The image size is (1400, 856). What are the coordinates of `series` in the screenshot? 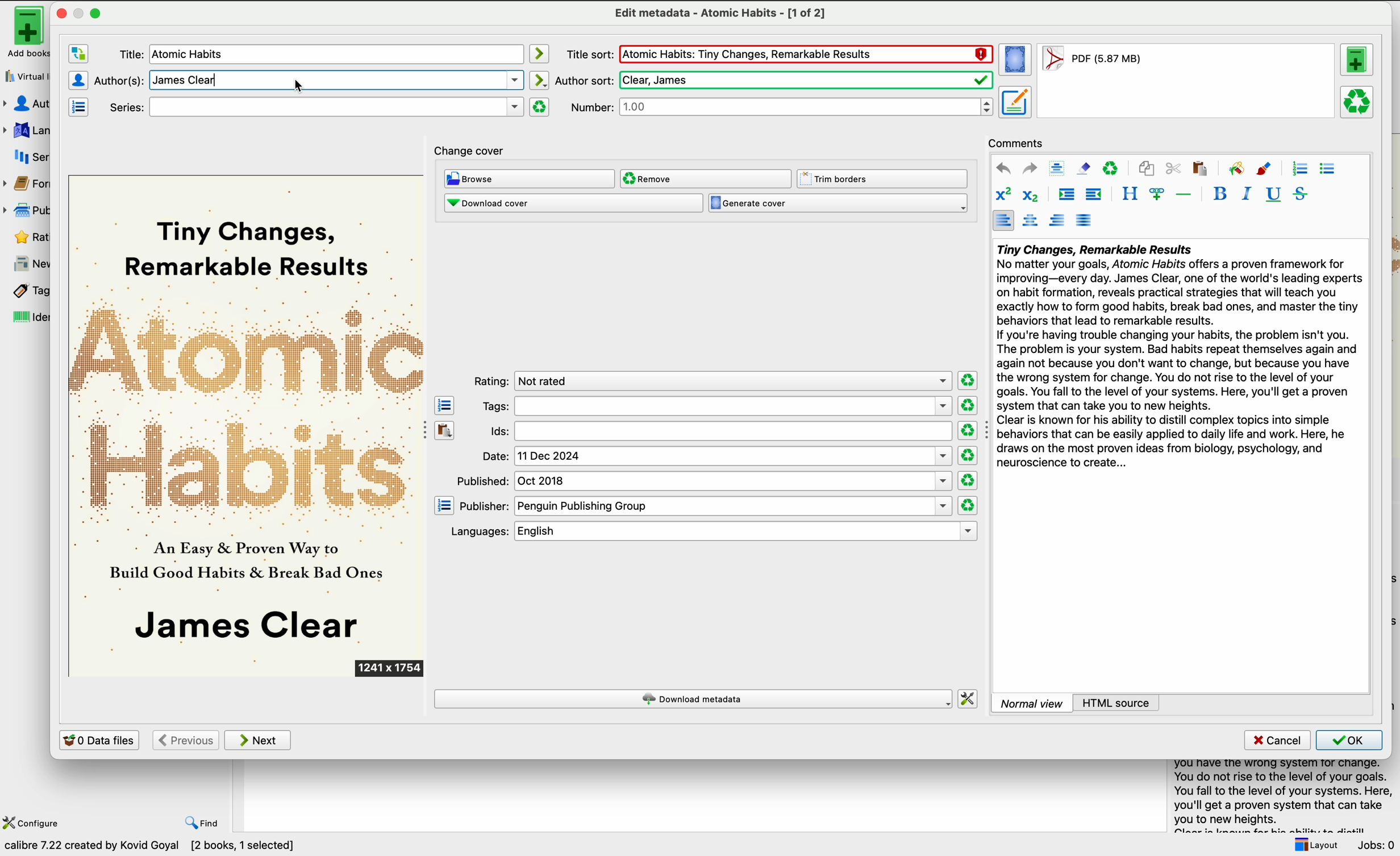 It's located at (27, 157).